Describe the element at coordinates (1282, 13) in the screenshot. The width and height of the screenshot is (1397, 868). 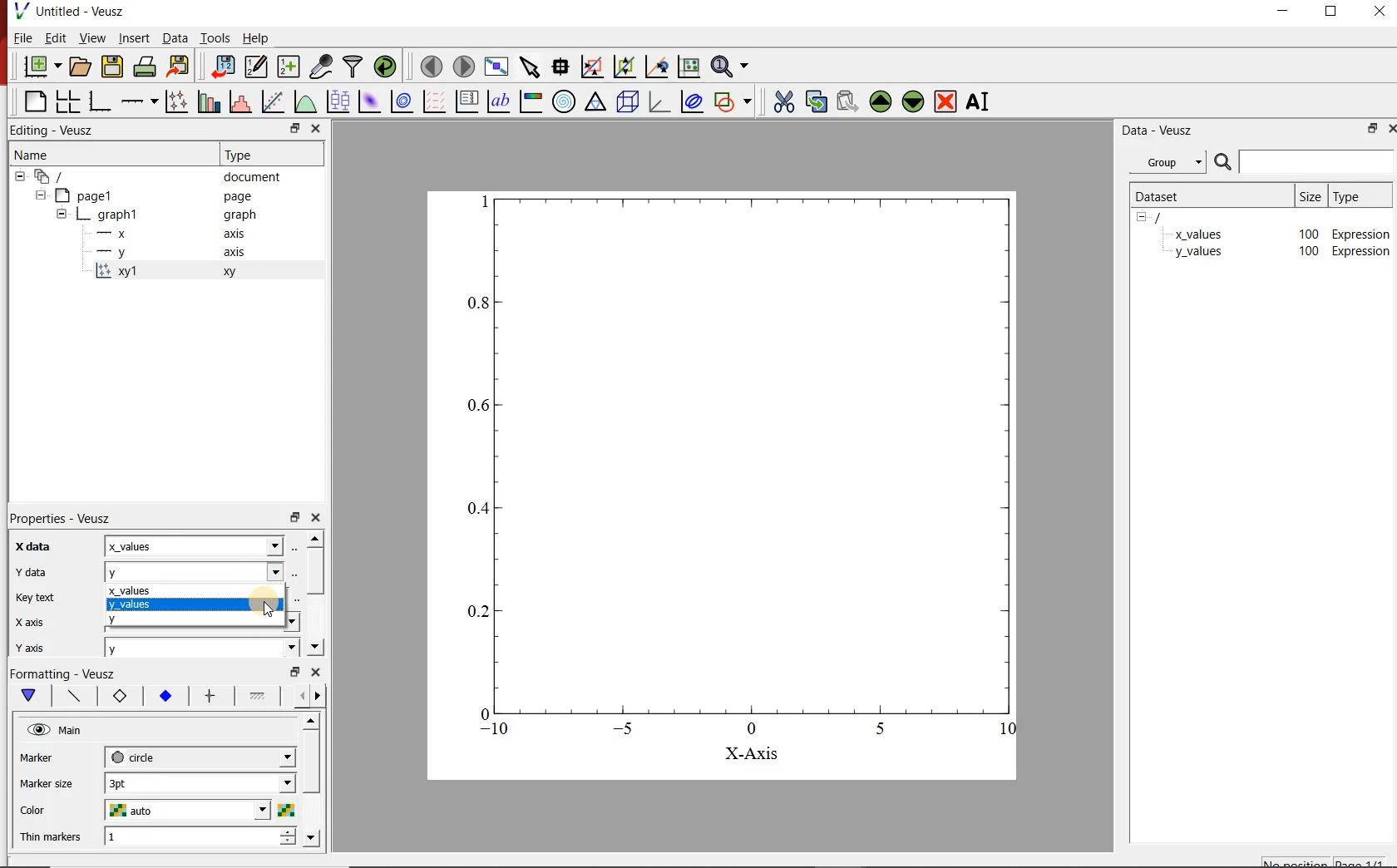
I see `minimize` at that location.